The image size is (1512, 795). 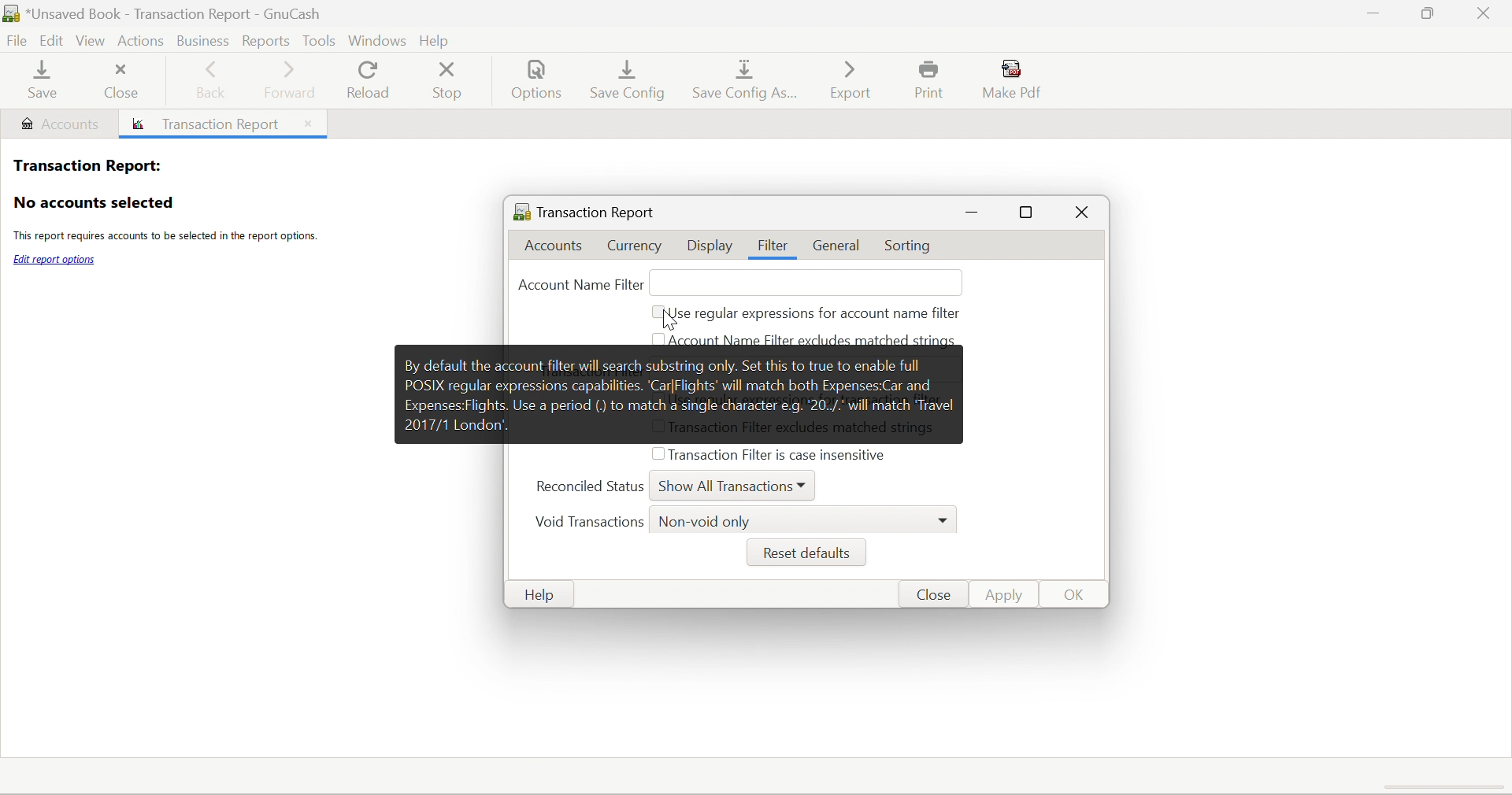 I want to click on Show All Transactions, so click(x=724, y=488).